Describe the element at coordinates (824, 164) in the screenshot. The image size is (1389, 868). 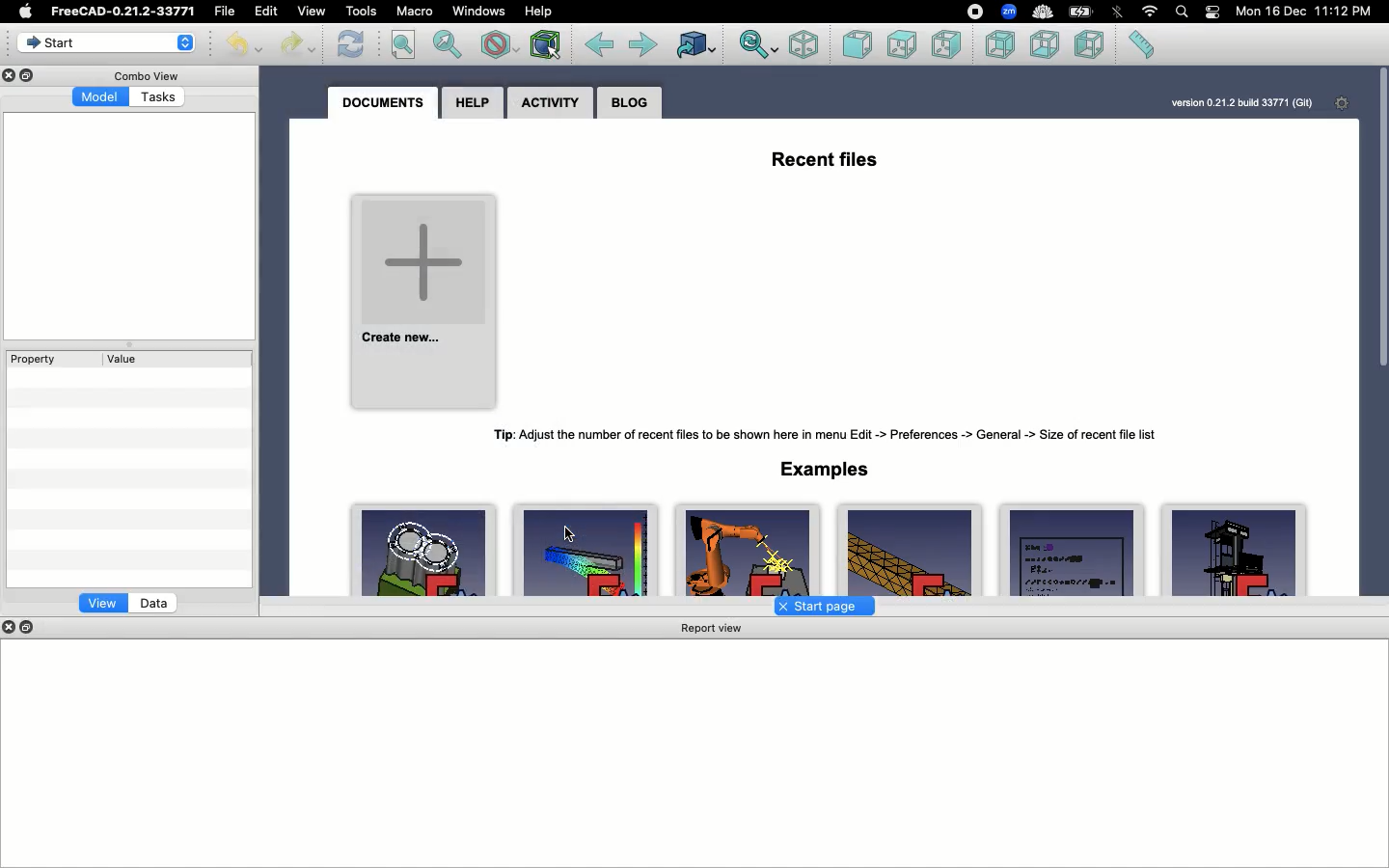
I see `Recent files` at that location.